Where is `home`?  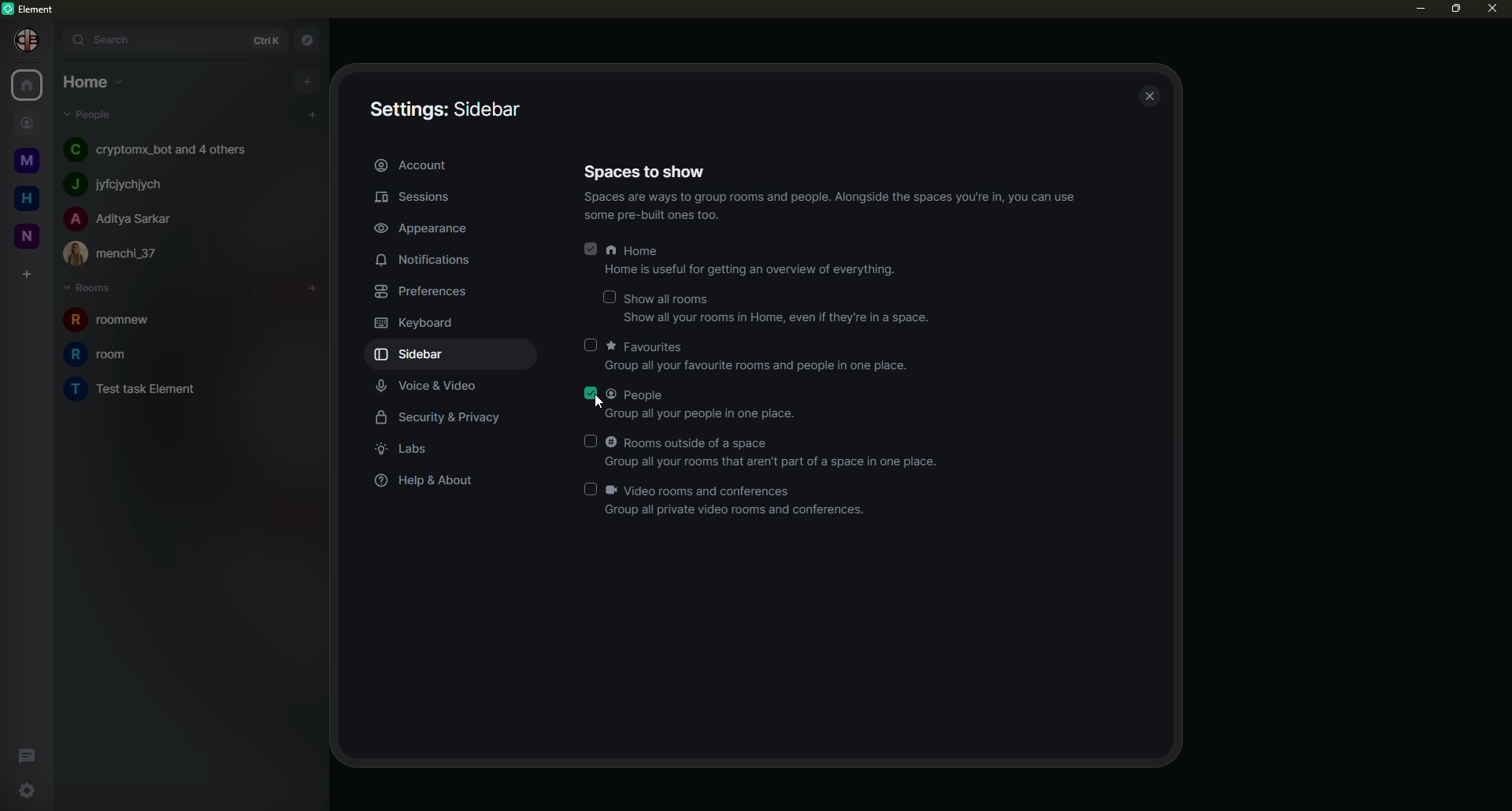 home is located at coordinates (754, 261).